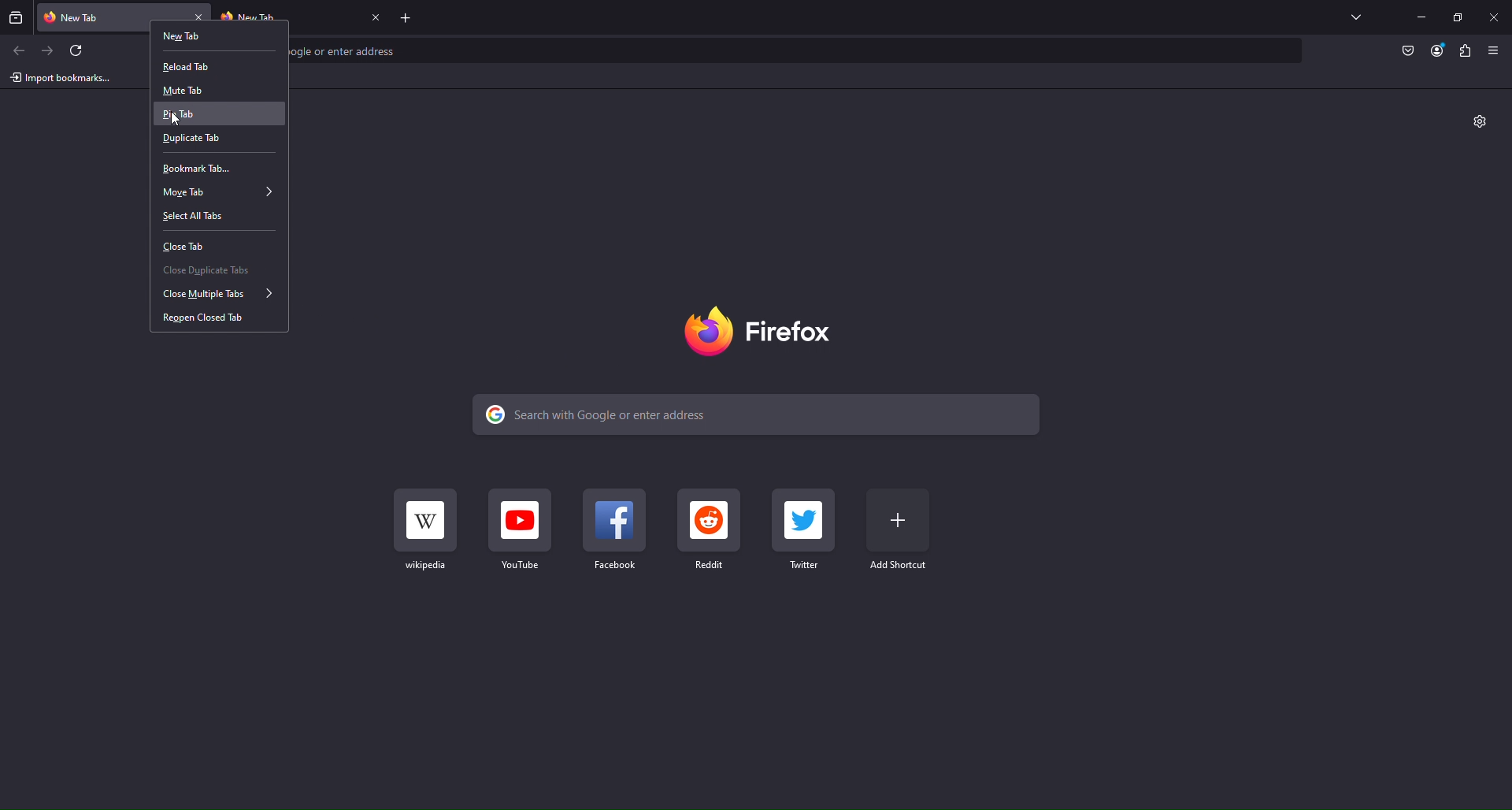 Image resolution: width=1512 pixels, height=810 pixels. What do you see at coordinates (211, 64) in the screenshot?
I see `Reload Tab` at bounding box center [211, 64].